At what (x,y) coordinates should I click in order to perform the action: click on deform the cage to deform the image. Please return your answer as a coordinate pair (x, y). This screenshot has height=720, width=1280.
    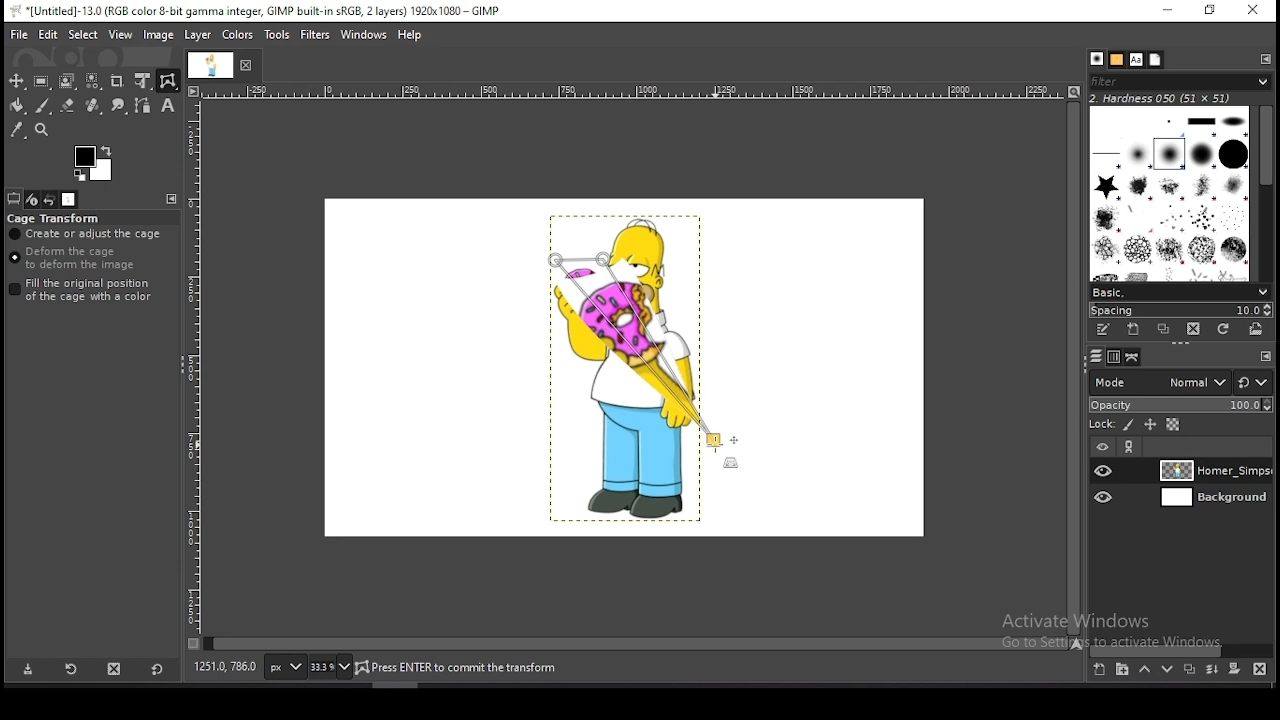
    Looking at the image, I should click on (76, 259).